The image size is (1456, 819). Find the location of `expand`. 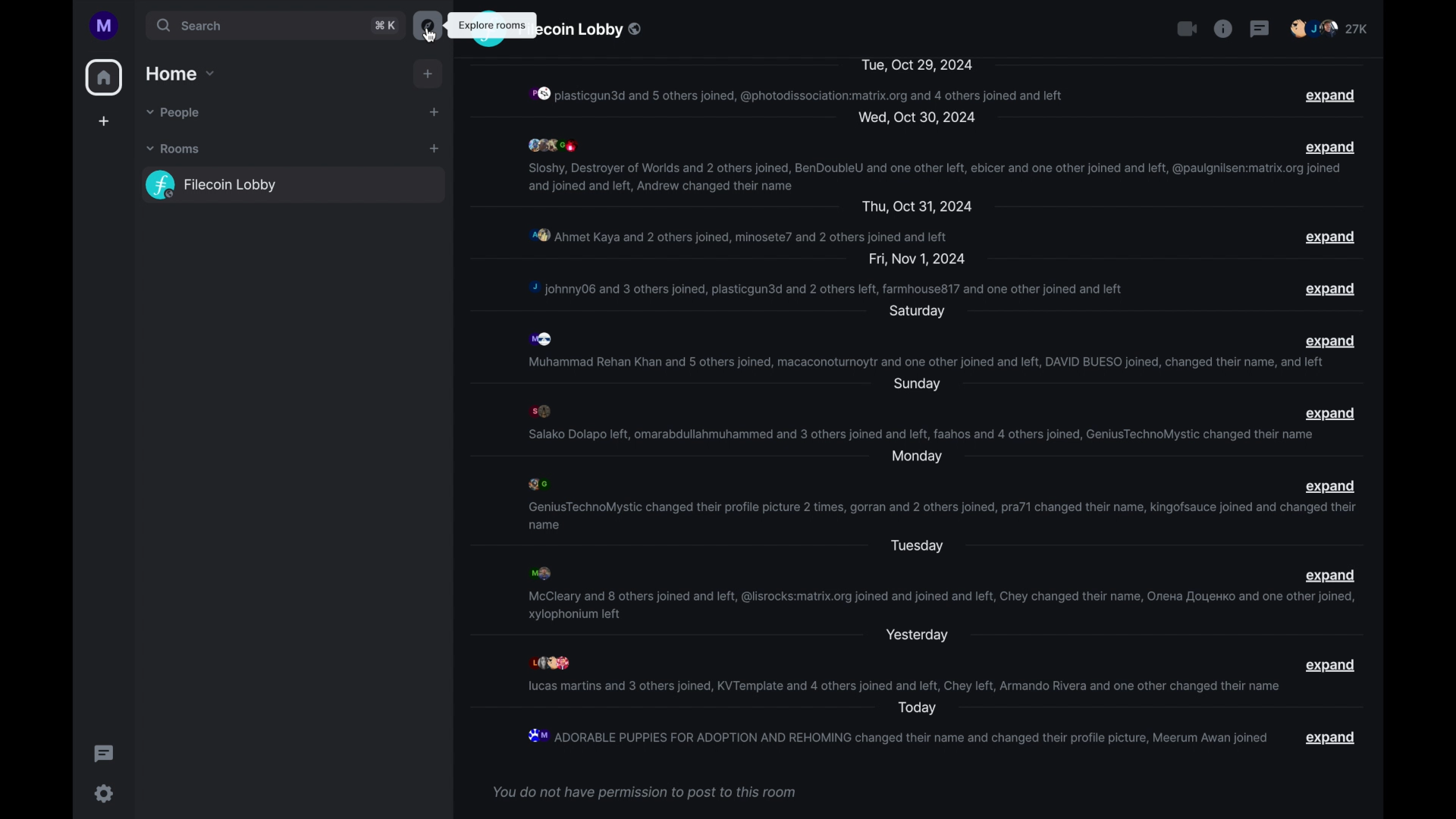

expand is located at coordinates (1329, 96).